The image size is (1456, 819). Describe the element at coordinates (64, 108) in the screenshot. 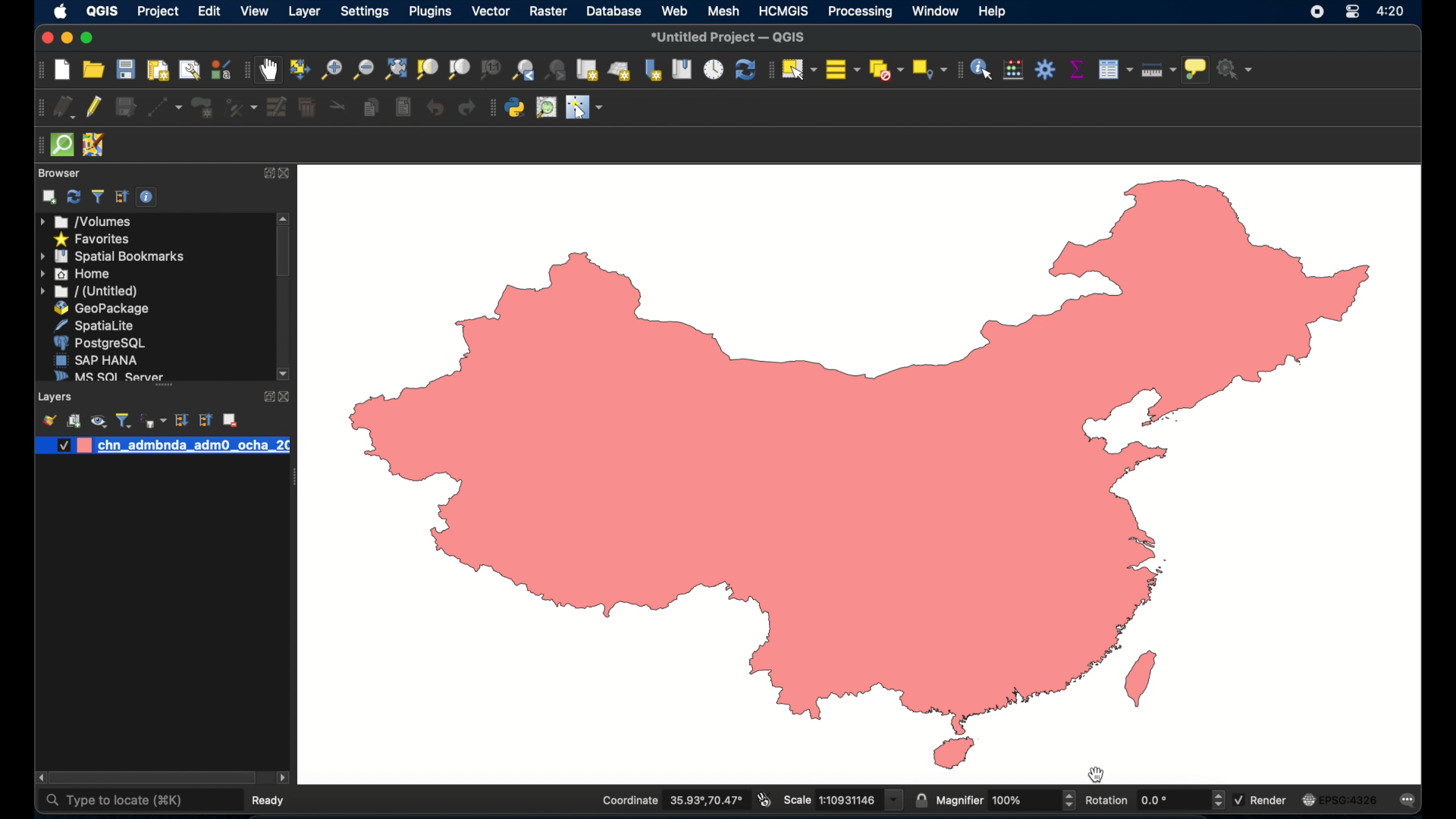

I see `current edits` at that location.